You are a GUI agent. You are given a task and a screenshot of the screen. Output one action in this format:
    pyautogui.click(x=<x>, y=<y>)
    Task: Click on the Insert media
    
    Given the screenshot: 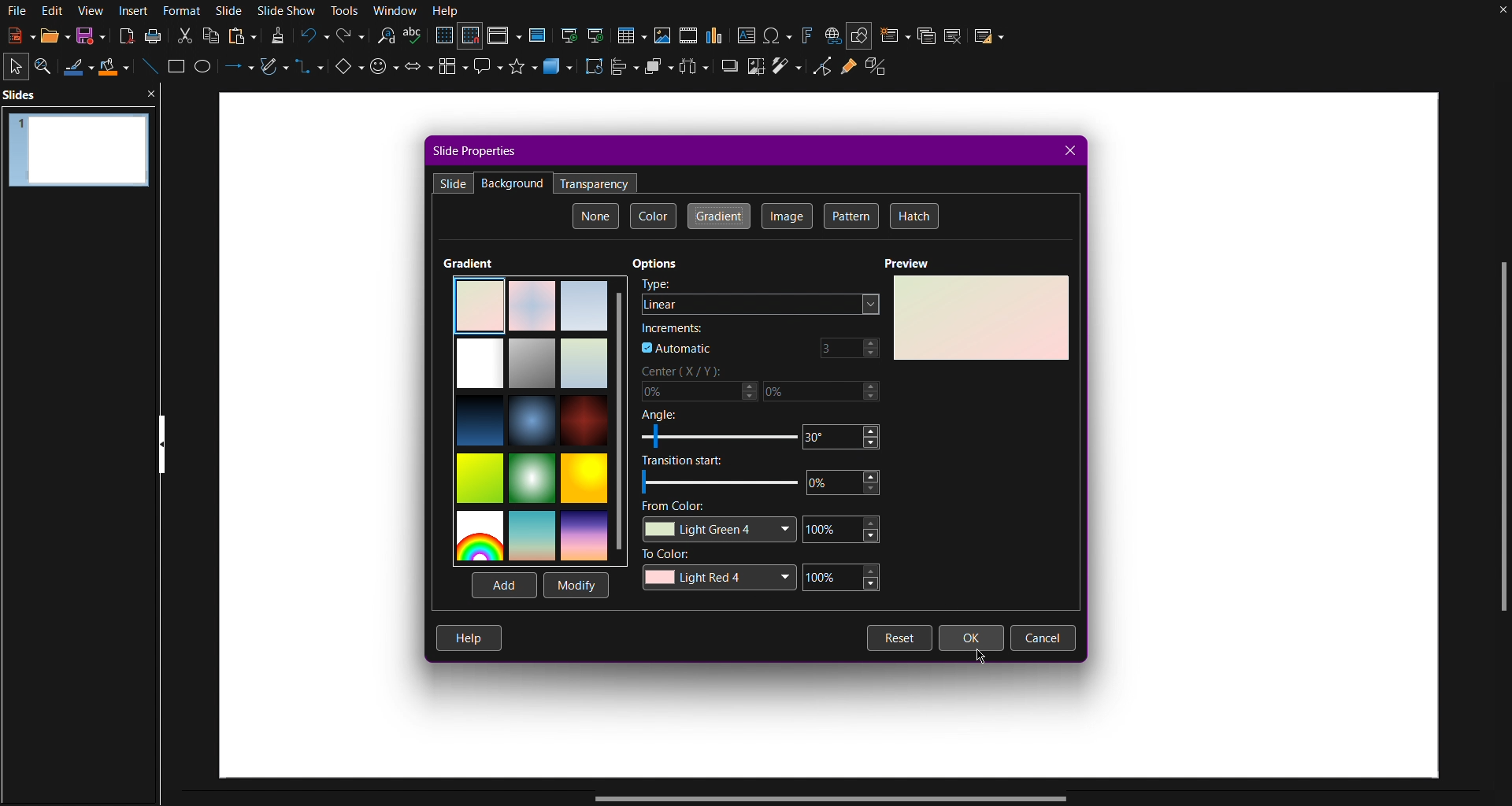 What is the action you would take?
    pyautogui.click(x=688, y=35)
    